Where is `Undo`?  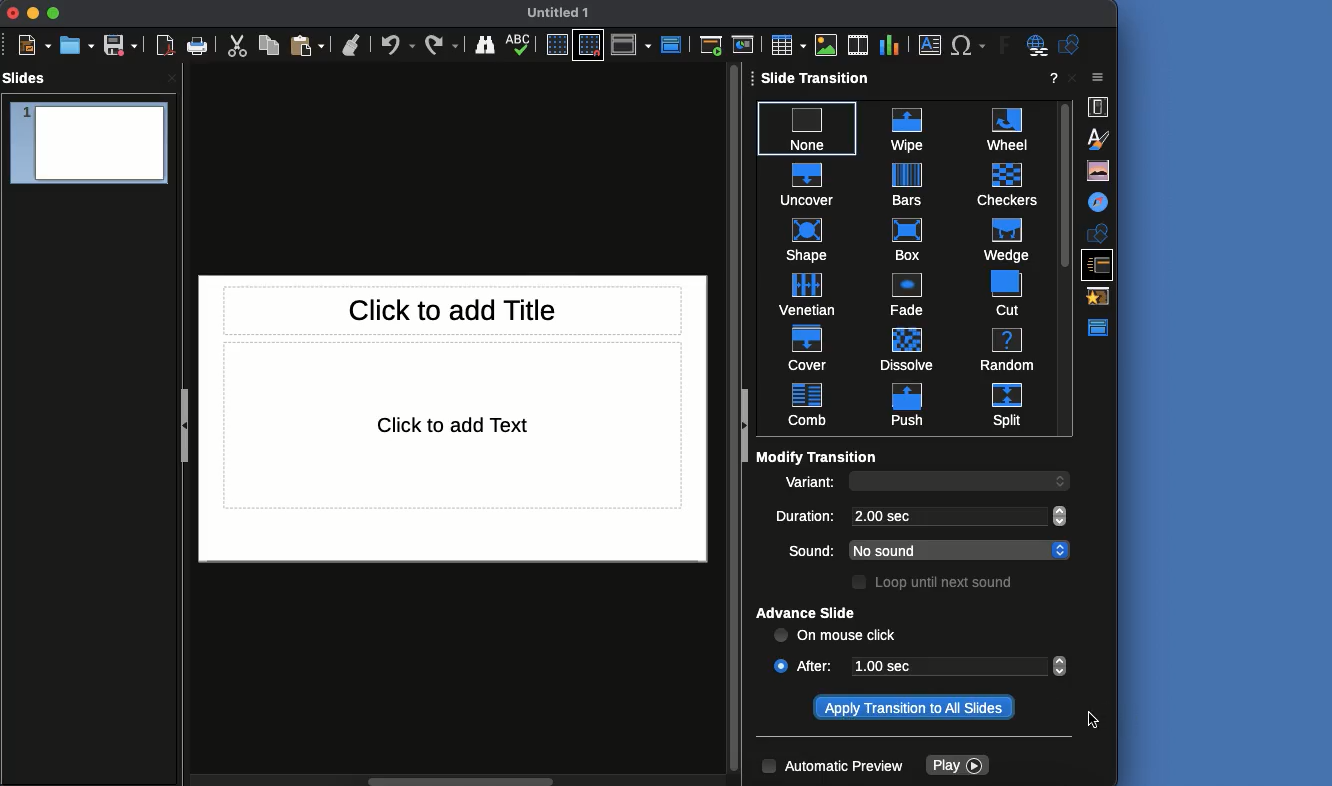
Undo is located at coordinates (398, 44).